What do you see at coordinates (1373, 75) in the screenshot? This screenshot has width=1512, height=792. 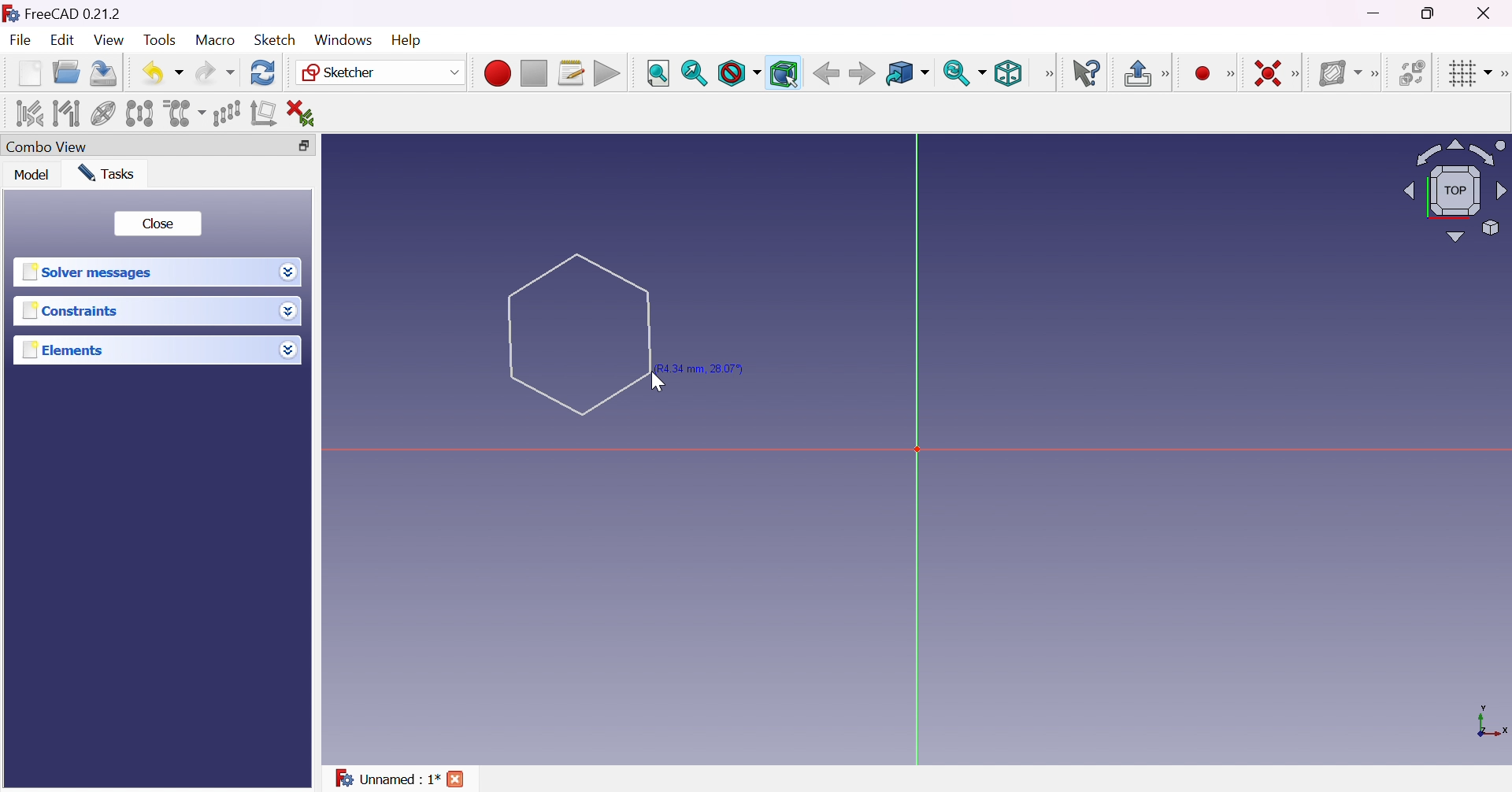 I see `[Sketcher B-spline tools]` at bounding box center [1373, 75].